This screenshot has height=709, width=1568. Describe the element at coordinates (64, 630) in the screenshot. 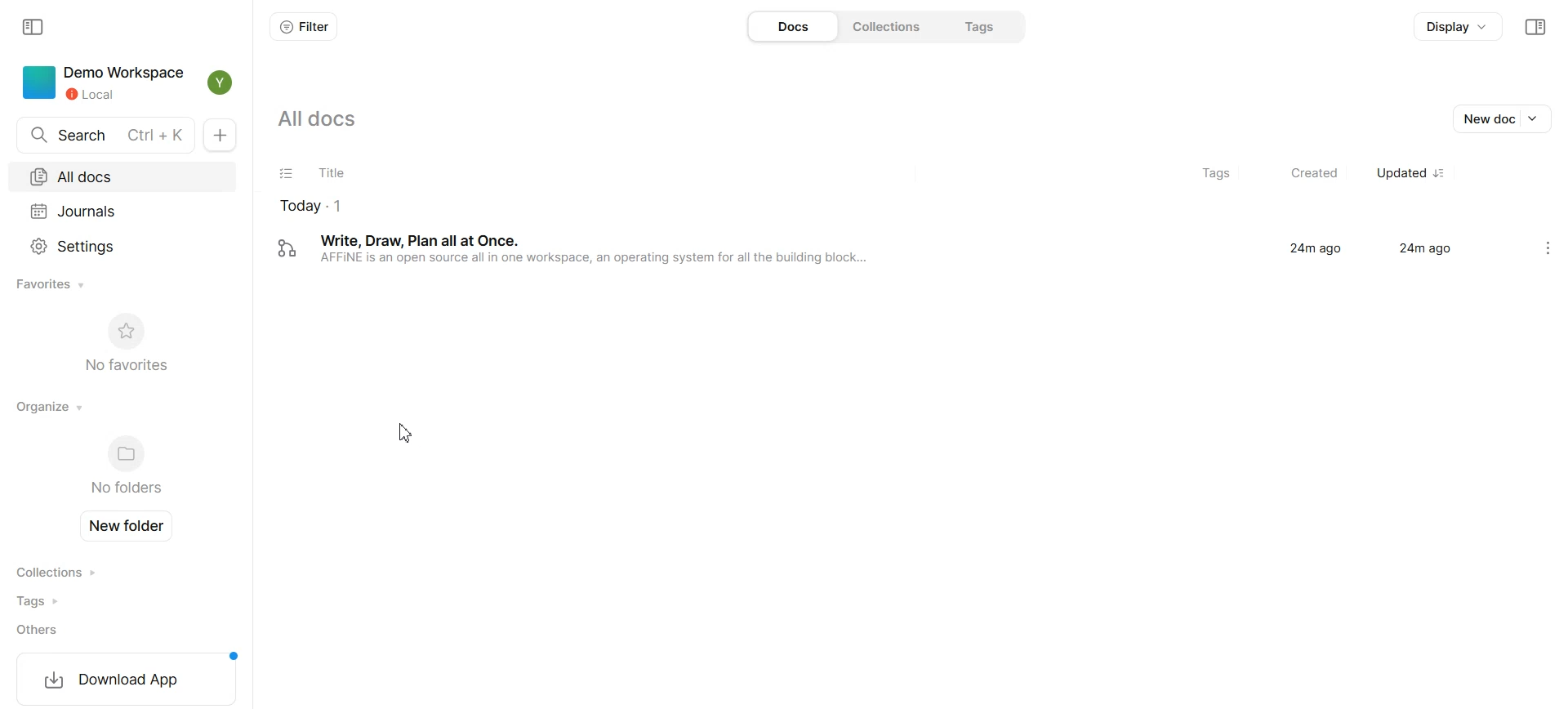

I see `Others` at that location.